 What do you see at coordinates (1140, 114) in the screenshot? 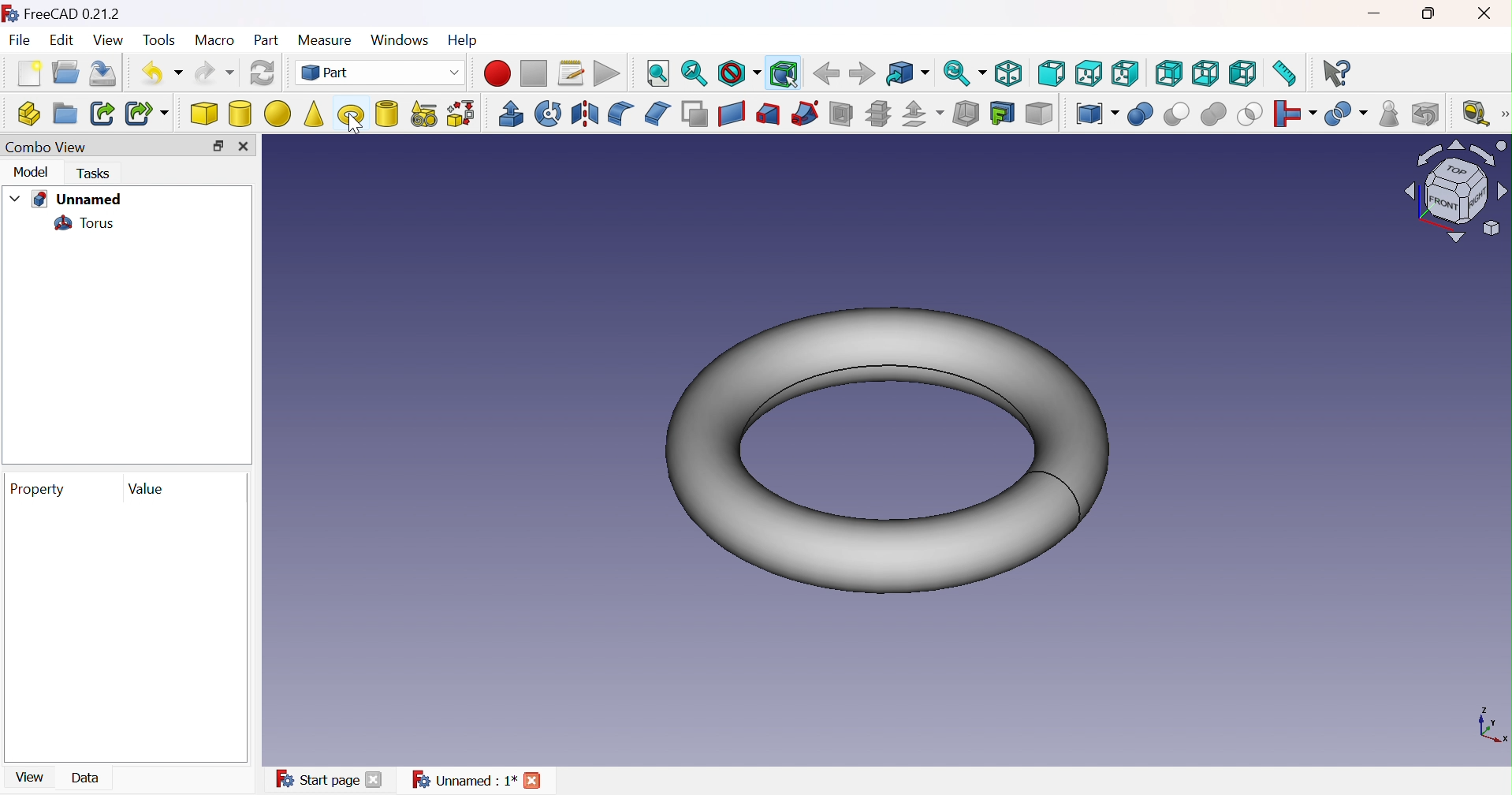
I see `Boolean` at bounding box center [1140, 114].